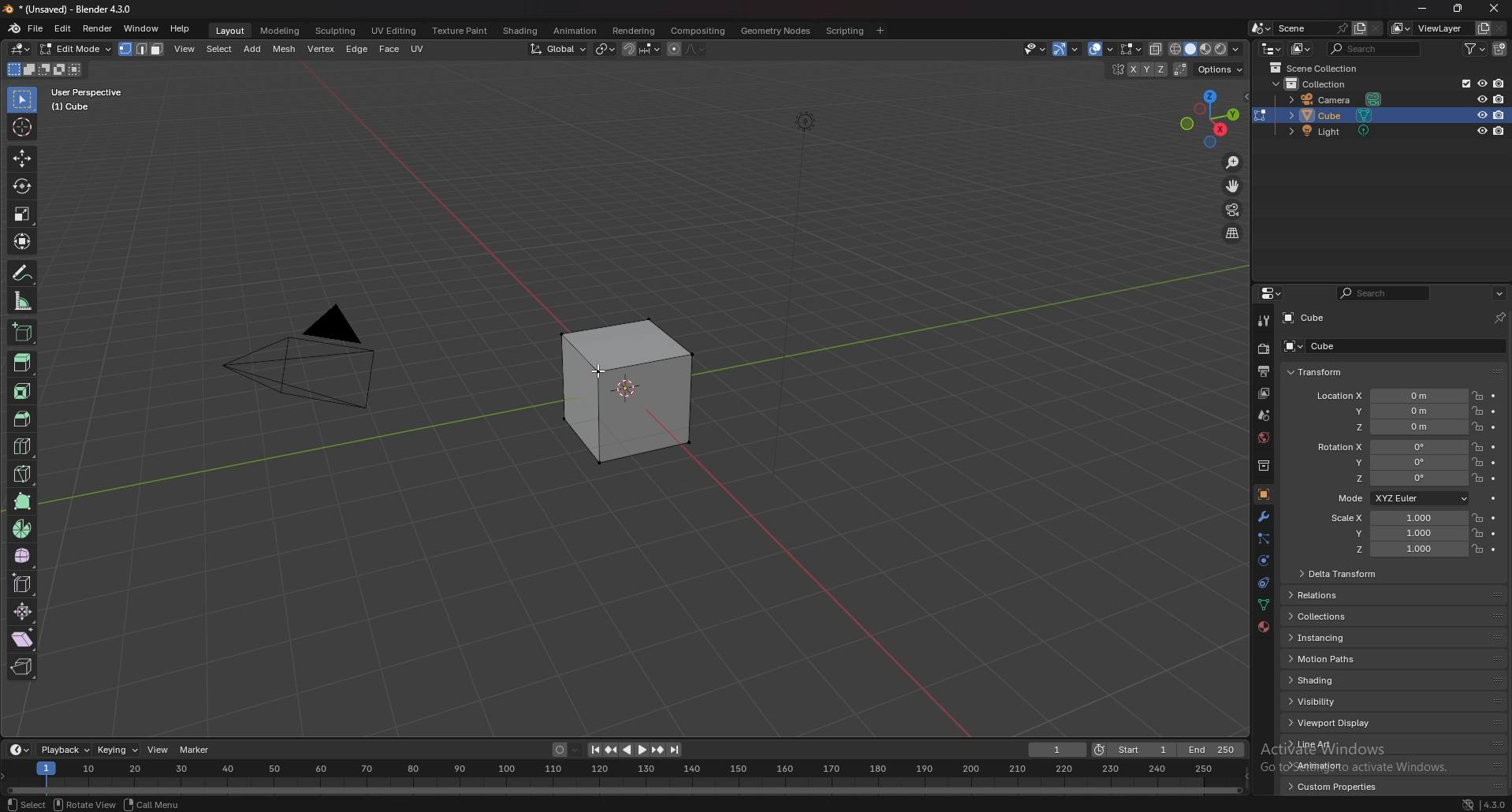  Describe the element at coordinates (1481, 130) in the screenshot. I see `hide in viewport` at that location.